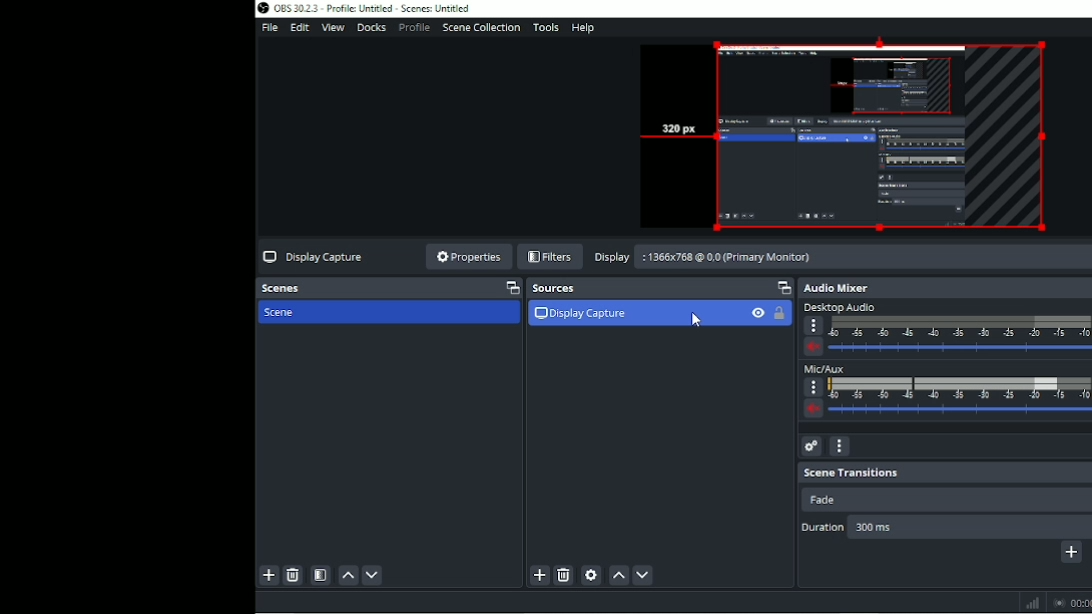  I want to click on Properties, so click(468, 256).